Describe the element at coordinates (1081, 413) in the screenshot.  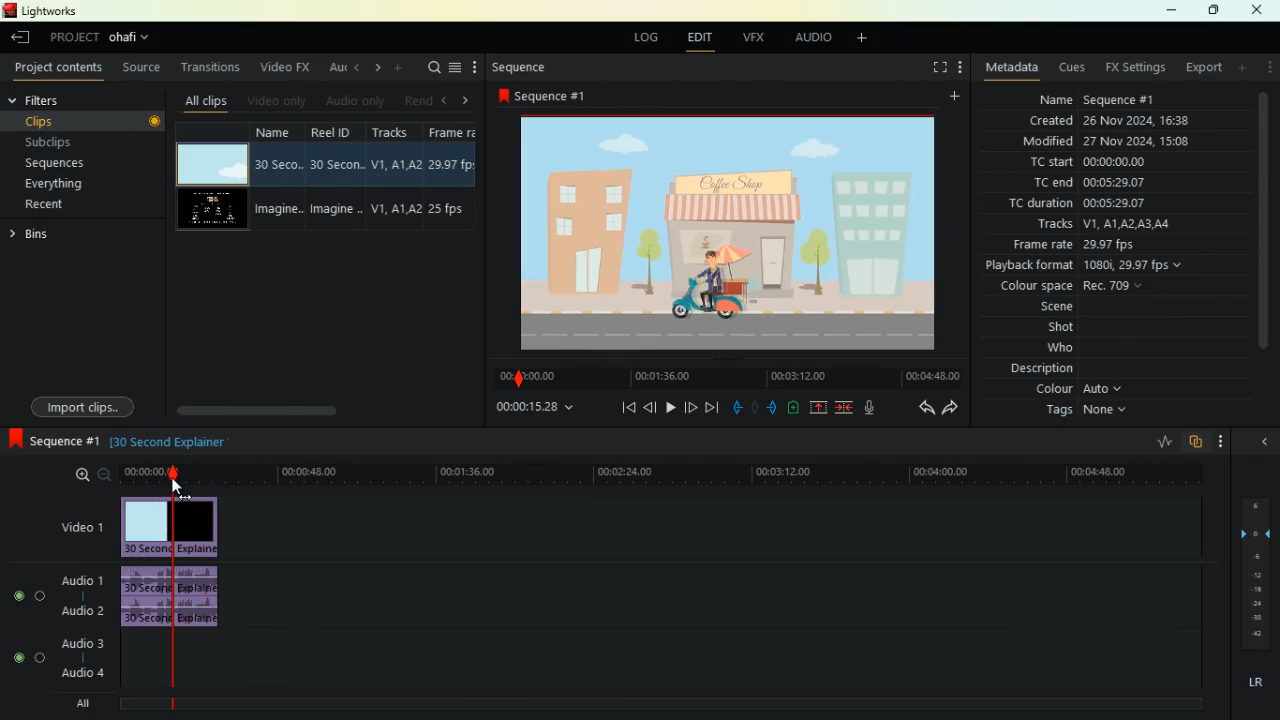
I see `tags` at that location.